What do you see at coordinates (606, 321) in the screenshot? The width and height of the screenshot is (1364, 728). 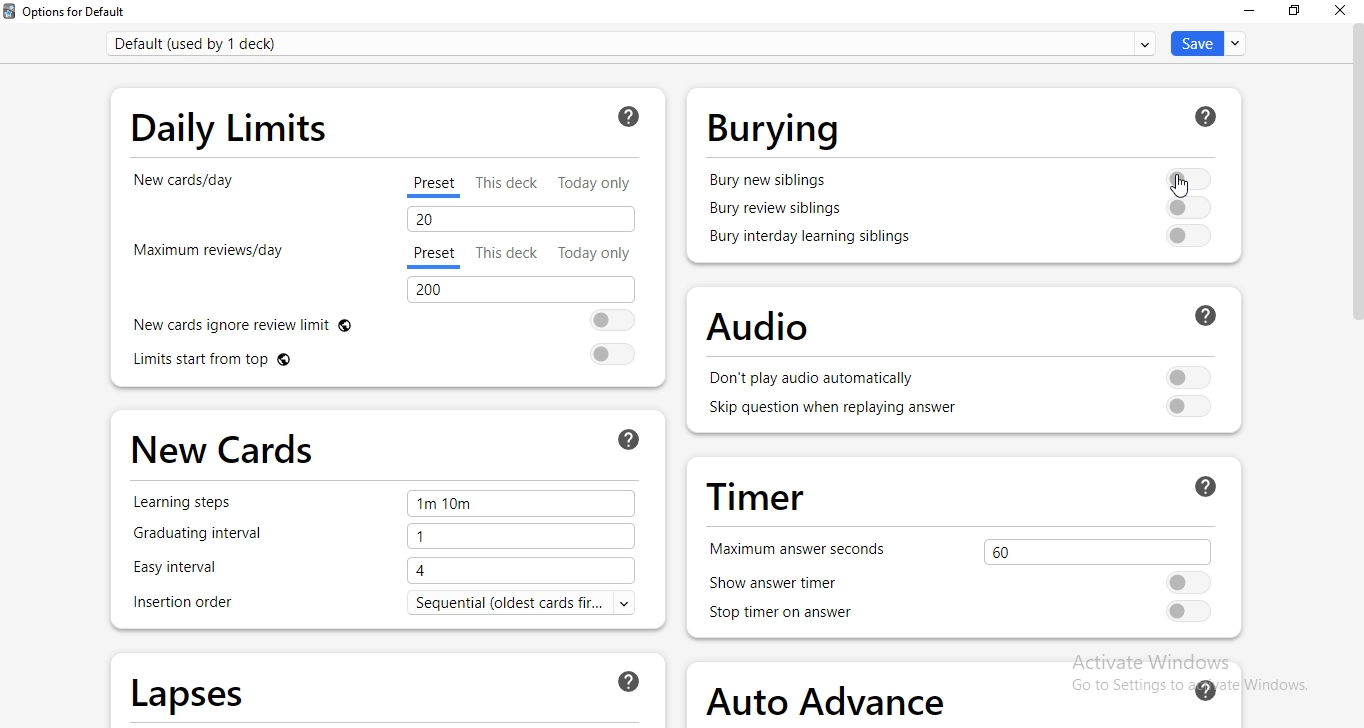 I see `Toggle` at bounding box center [606, 321].